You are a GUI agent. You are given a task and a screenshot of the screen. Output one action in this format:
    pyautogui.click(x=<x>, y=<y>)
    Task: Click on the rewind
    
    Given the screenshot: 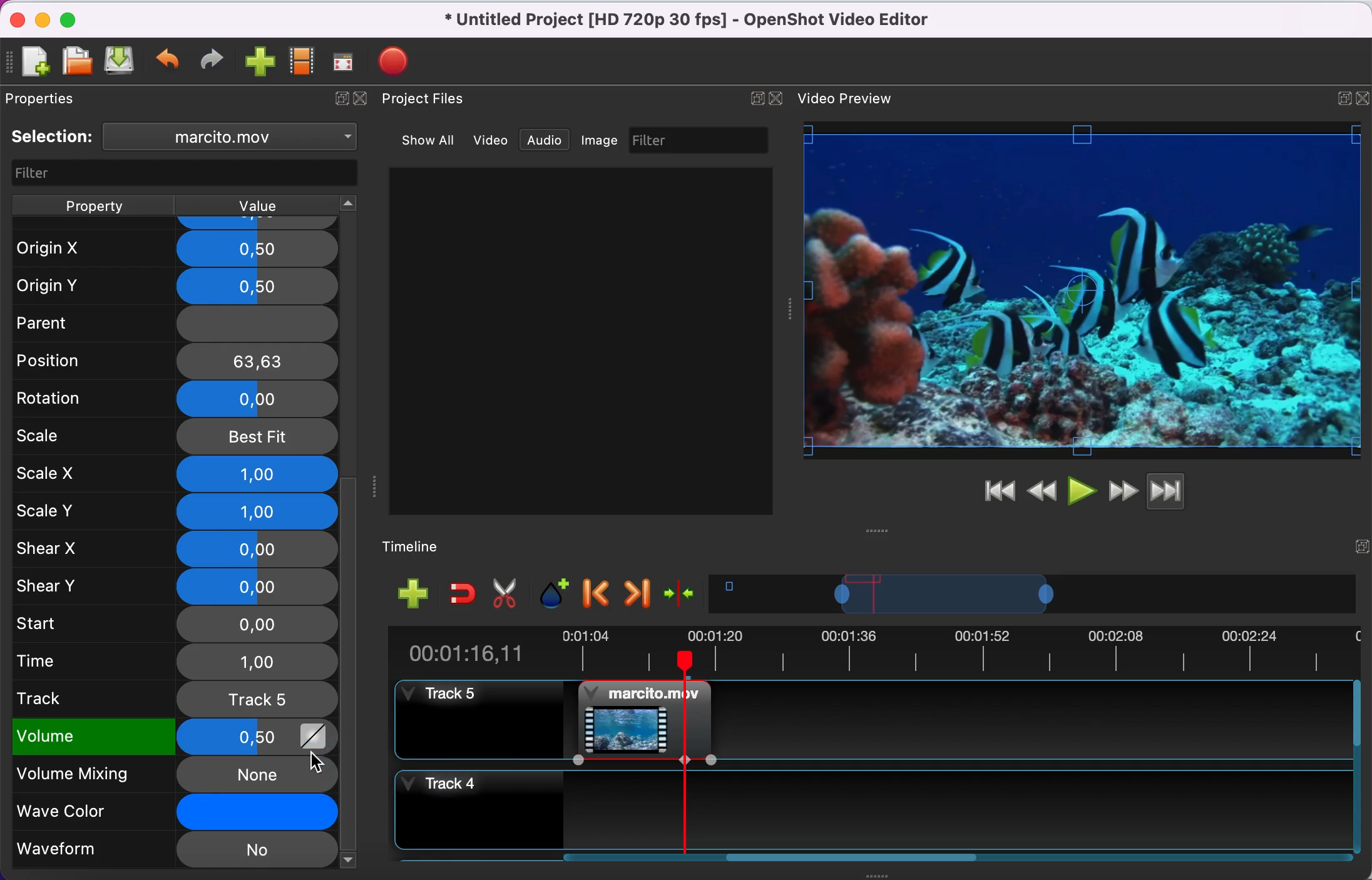 What is the action you would take?
    pyautogui.click(x=1043, y=489)
    